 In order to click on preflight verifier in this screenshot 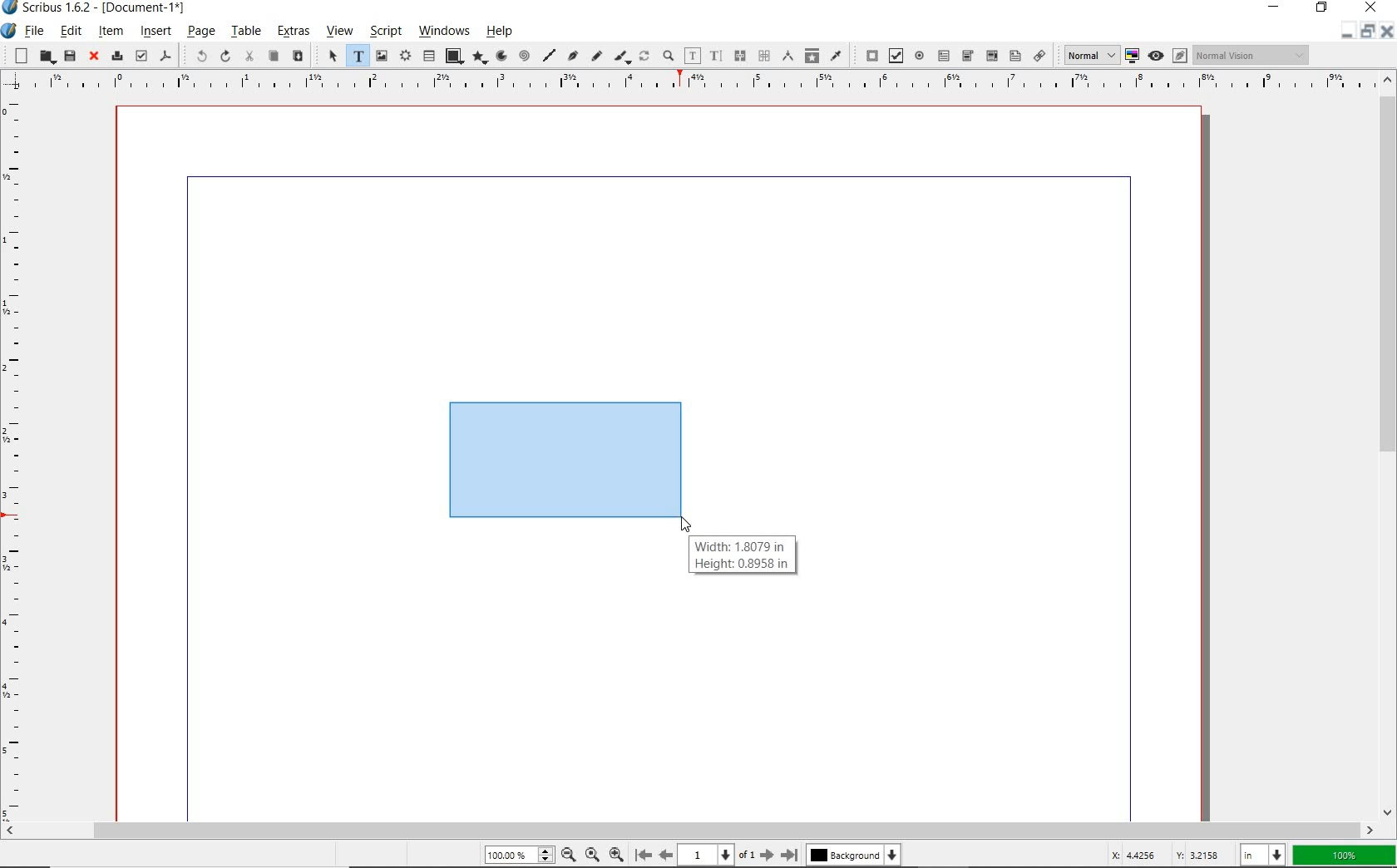, I will do `click(141, 55)`.